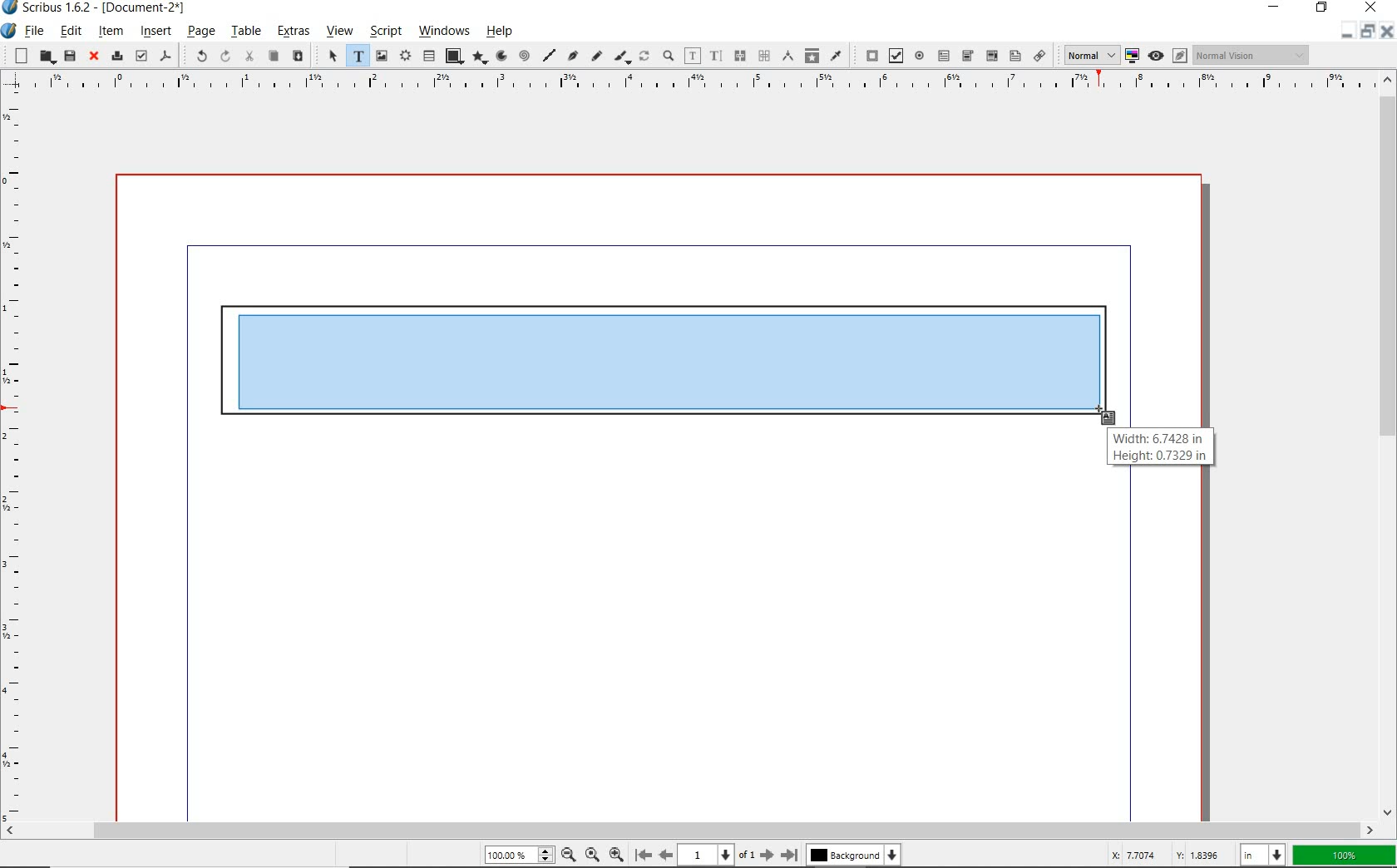 This screenshot has height=868, width=1397. I want to click on extras, so click(294, 32).